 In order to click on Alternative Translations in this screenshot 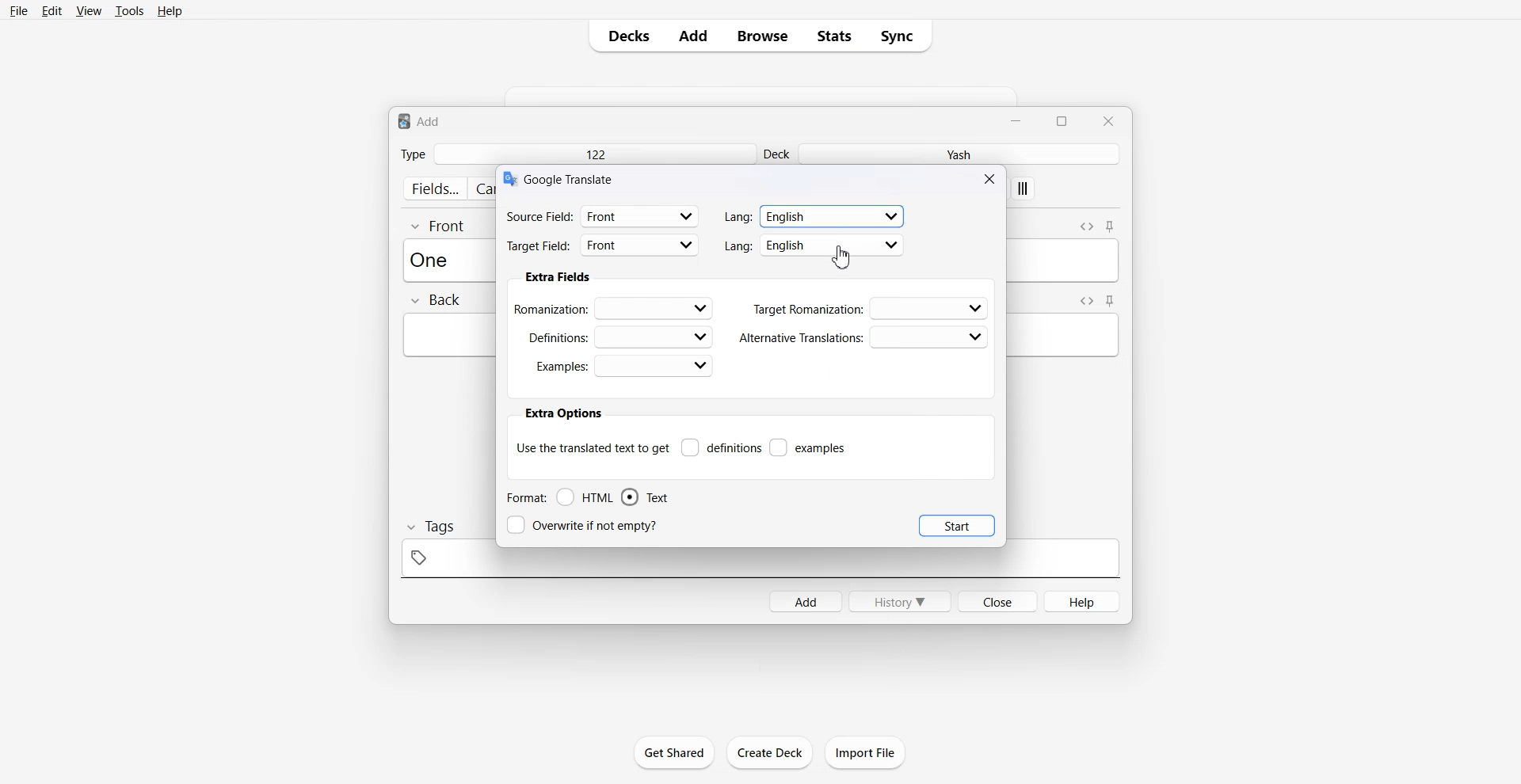, I will do `click(863, 337)`.